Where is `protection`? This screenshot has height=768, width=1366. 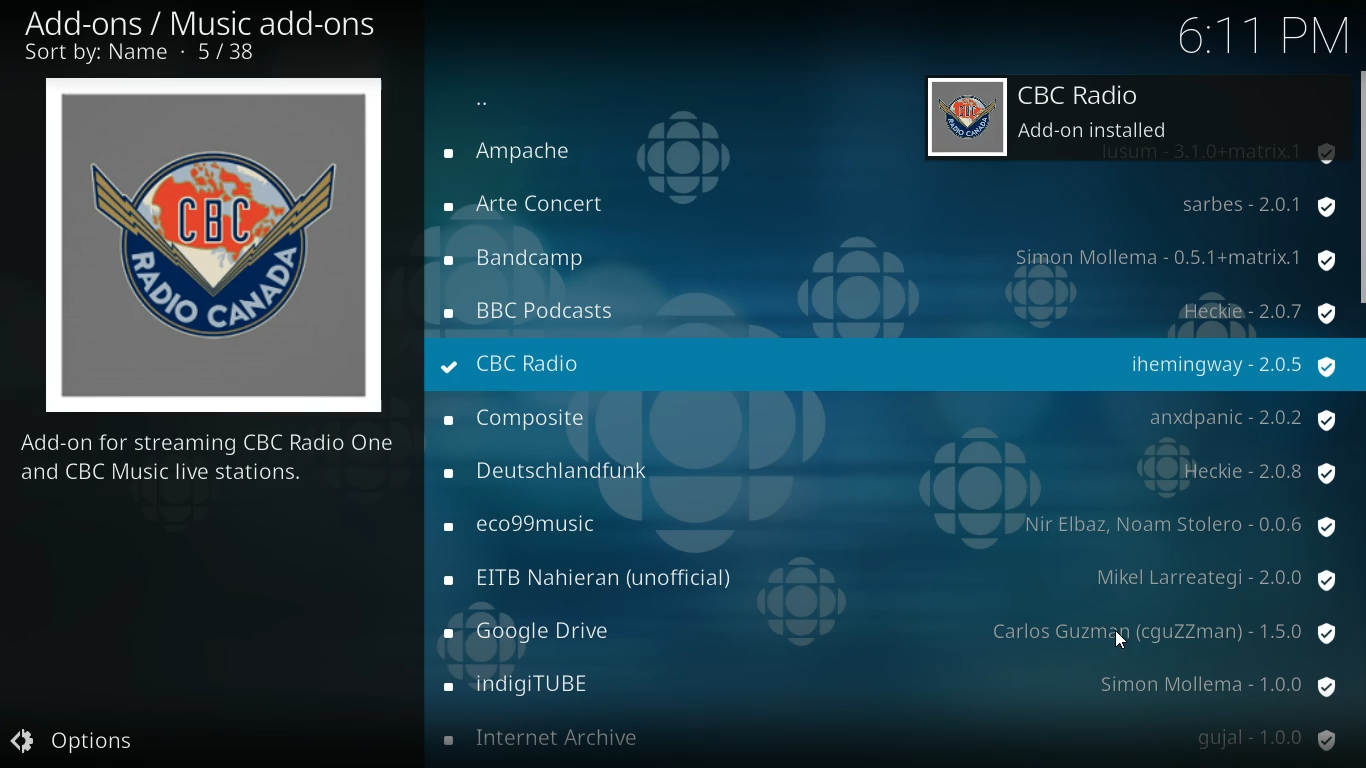
protection is located at coordinates (1244, 206).